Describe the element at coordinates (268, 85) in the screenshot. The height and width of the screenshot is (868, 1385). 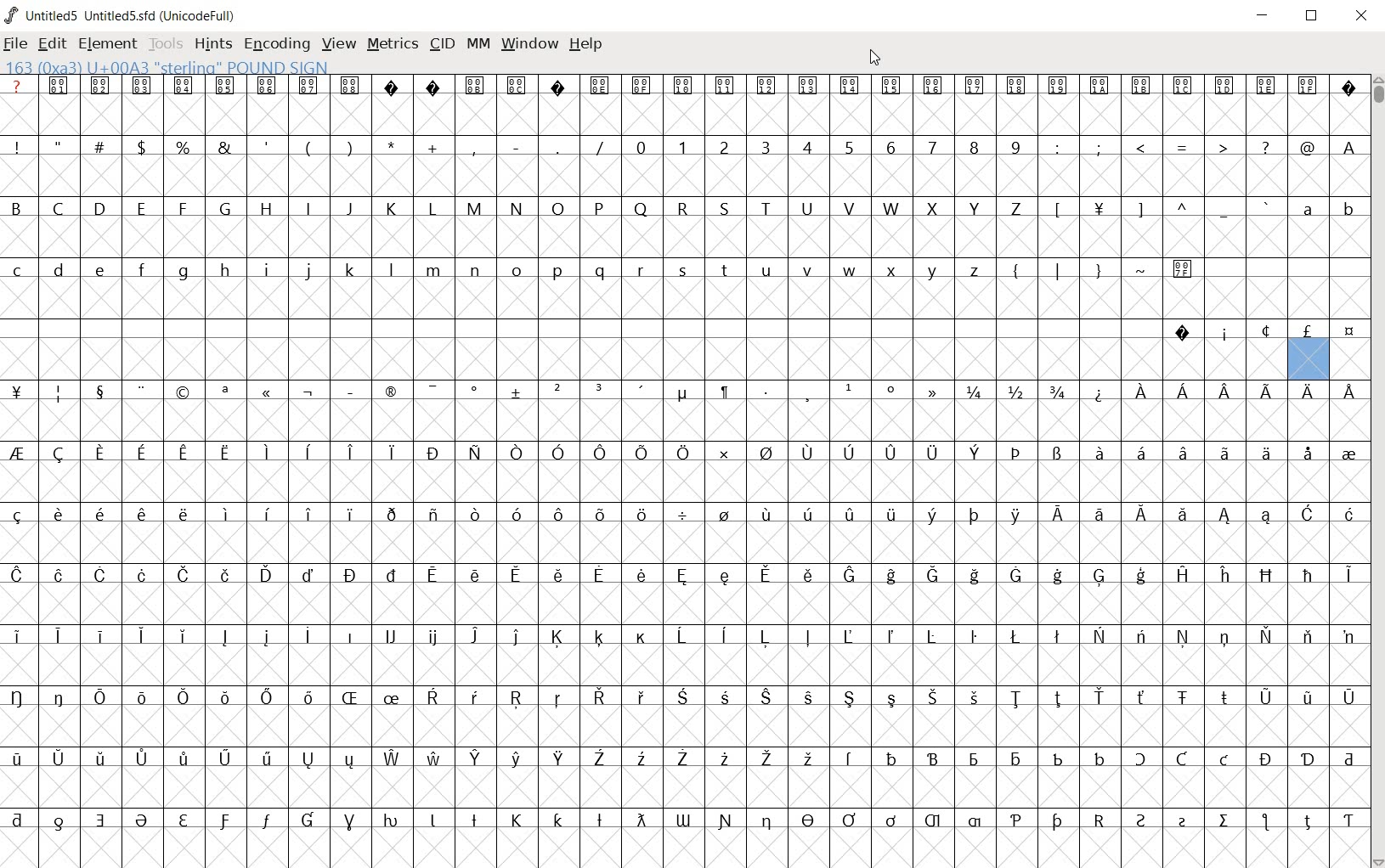
I see `Symbol` at that location.